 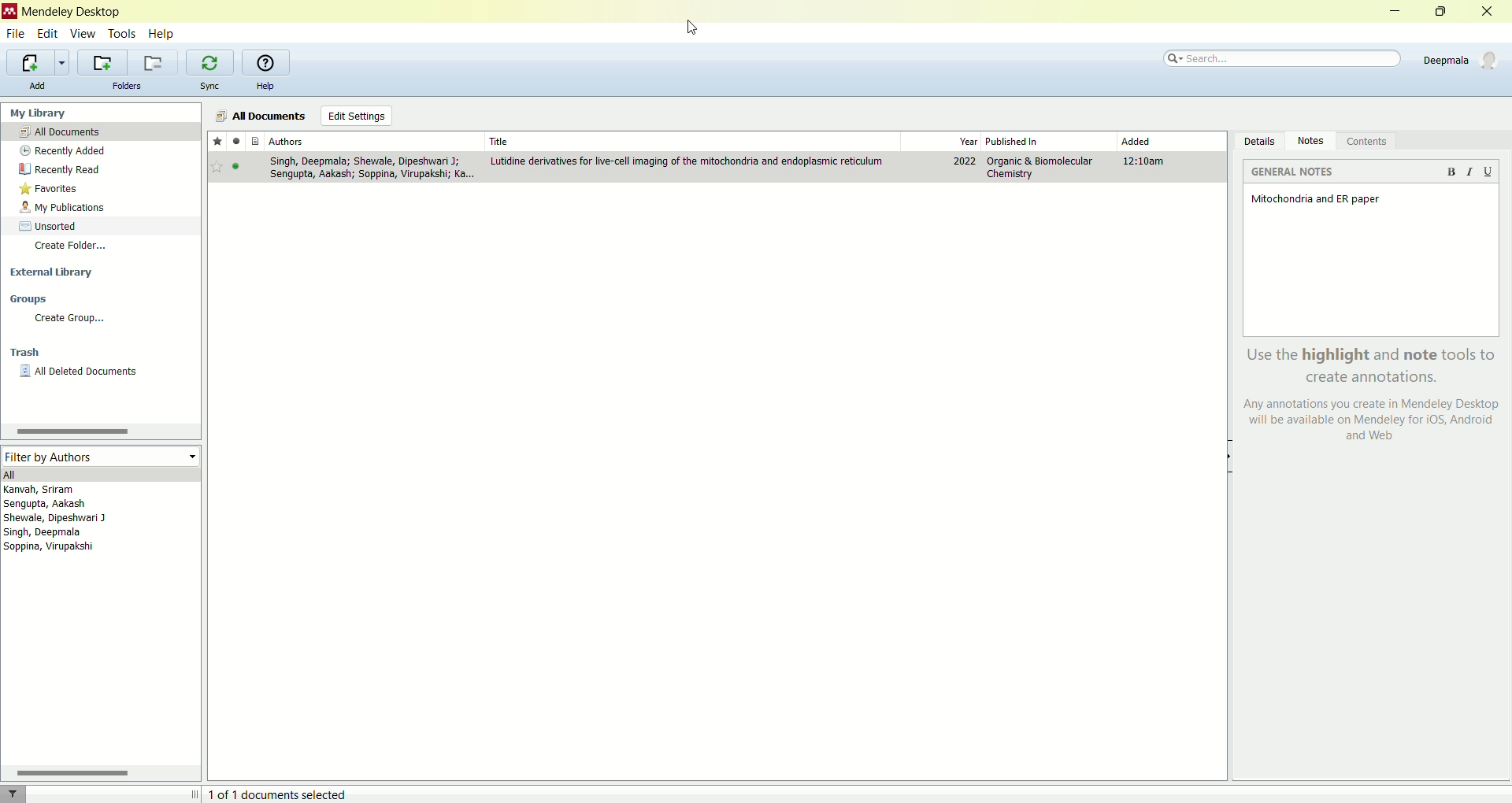 I want to click on underline, so click(x=1488, y=172).